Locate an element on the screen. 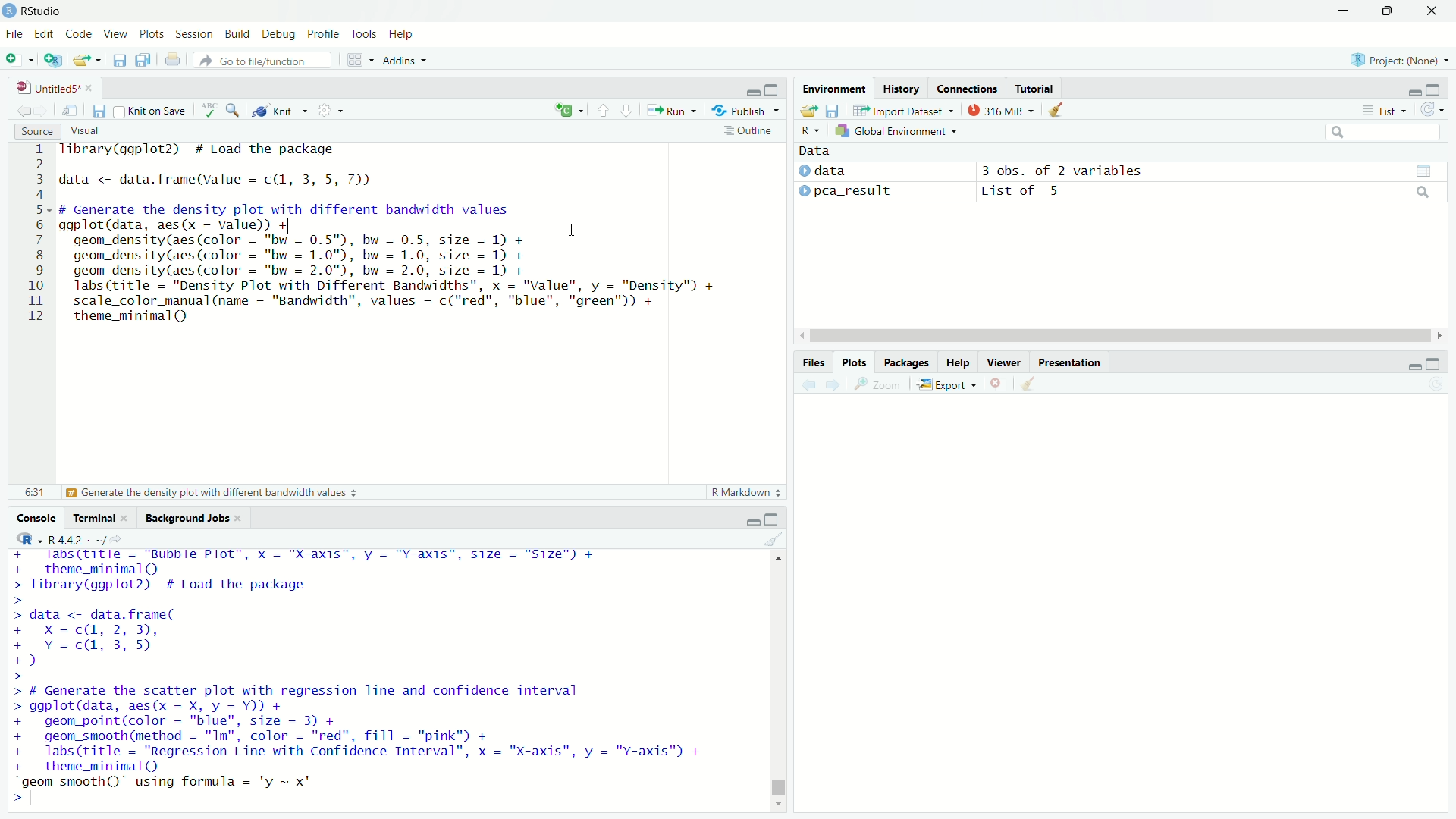 The image size is (1456, 819). R 4.4.2 .~/ is located at coordinates (77, 538).